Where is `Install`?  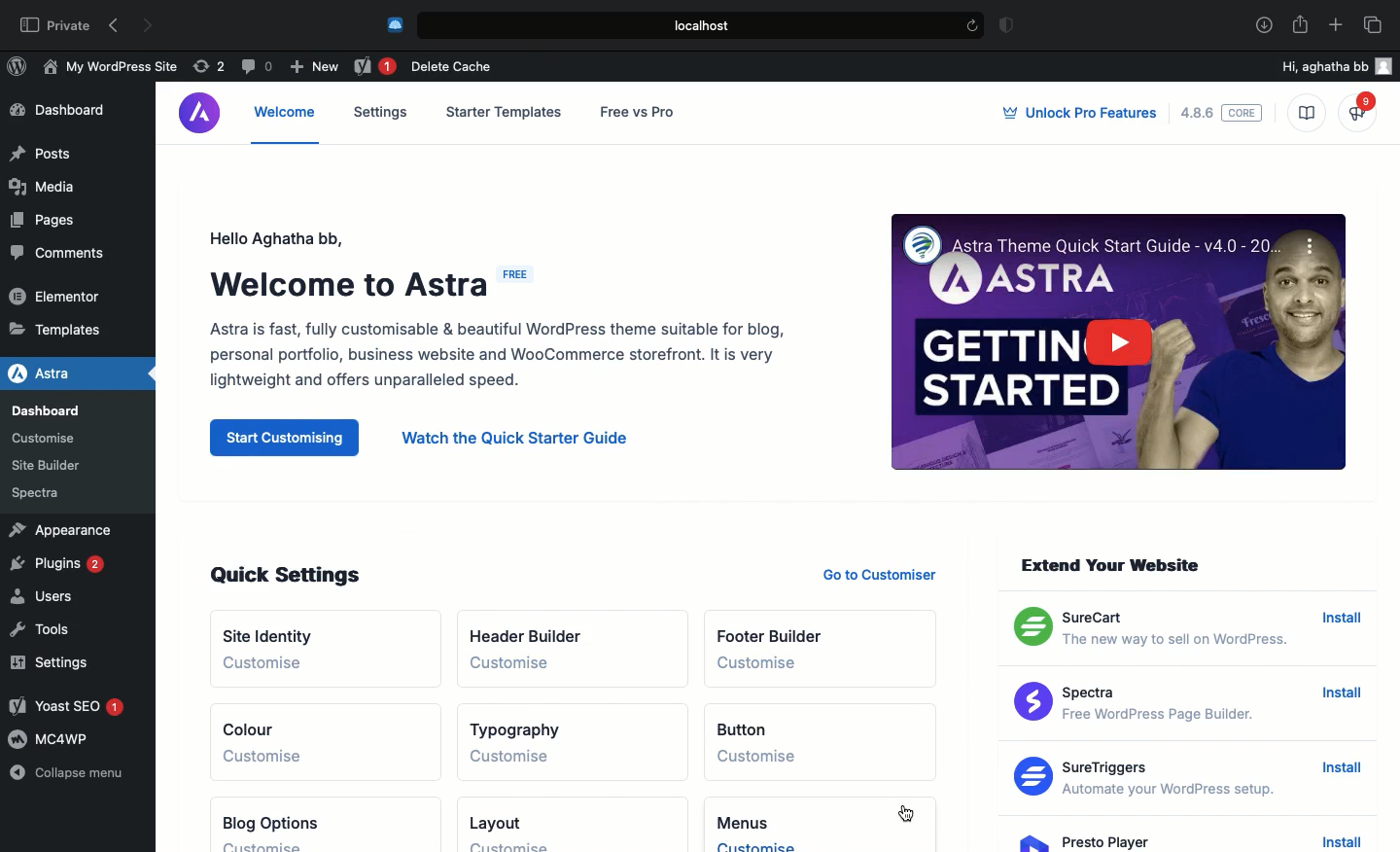 Install is located at coordinates (1348, 832).